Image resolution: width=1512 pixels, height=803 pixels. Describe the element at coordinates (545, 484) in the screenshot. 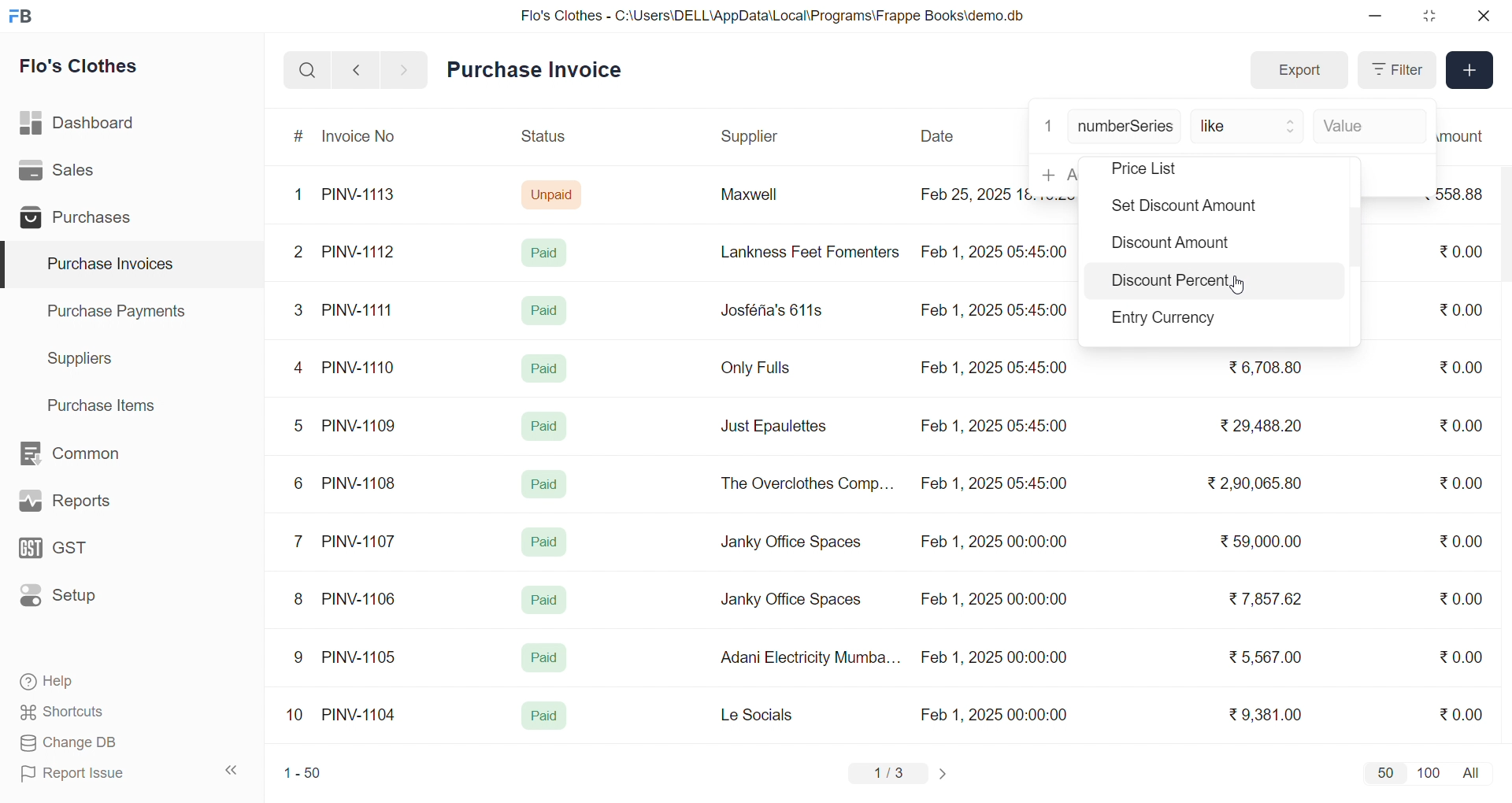

I see `Paid` at that location.